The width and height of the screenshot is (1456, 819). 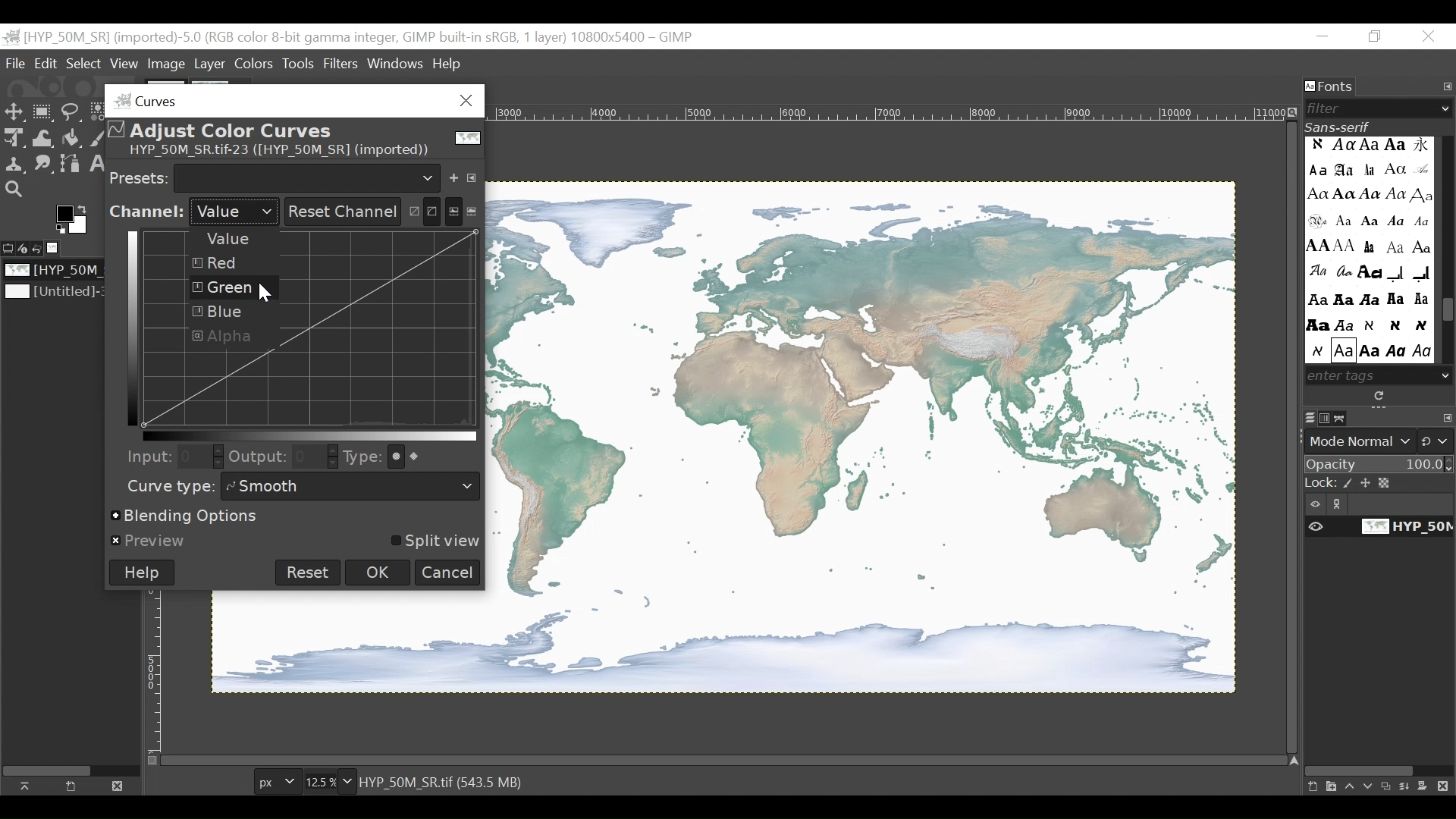 I want to click on Input, so click(x=145, y=456).